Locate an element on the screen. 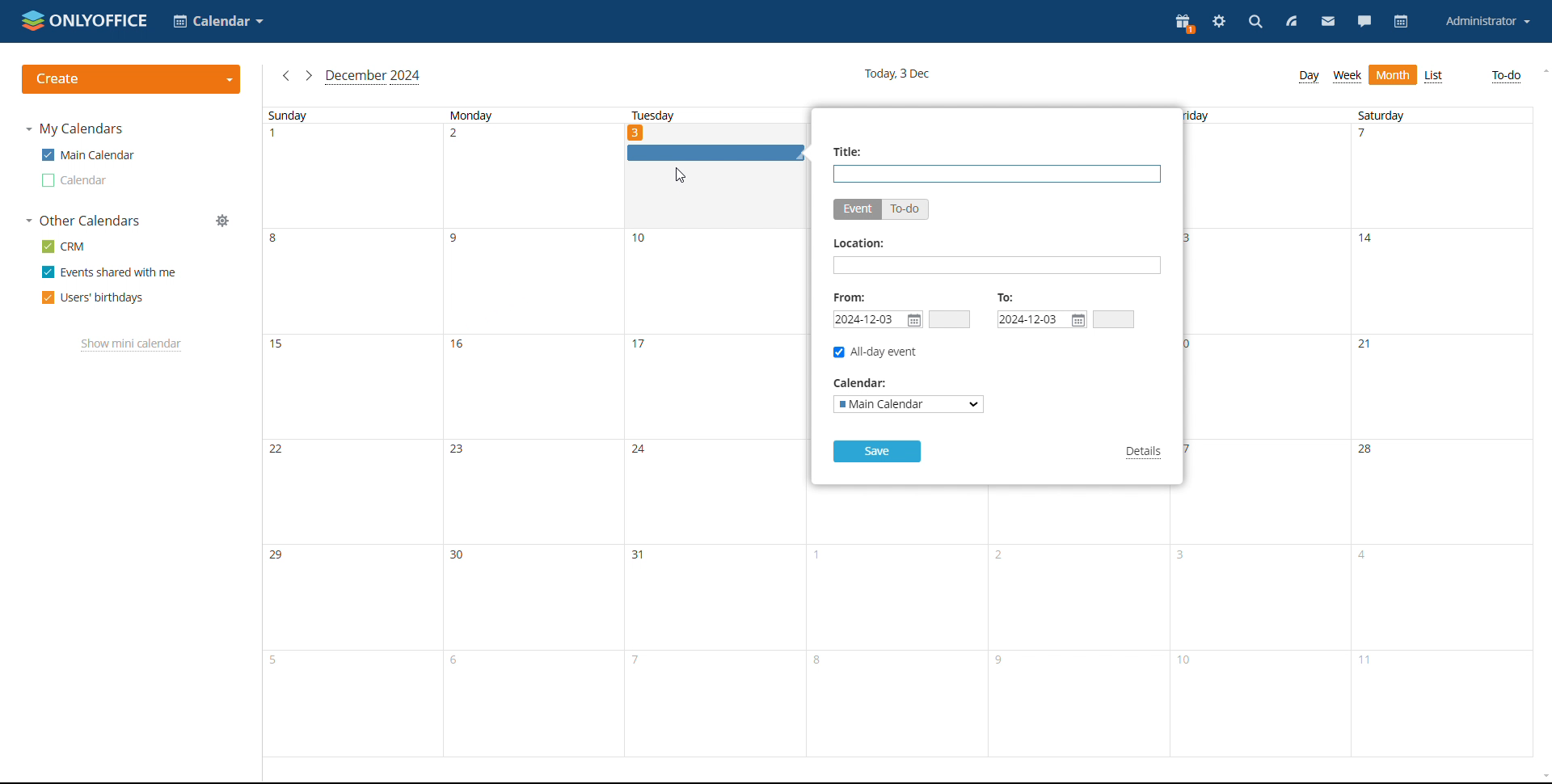 The height and width of the screenshot is (784, 1552). week view is located at coordinates (1347, 76).